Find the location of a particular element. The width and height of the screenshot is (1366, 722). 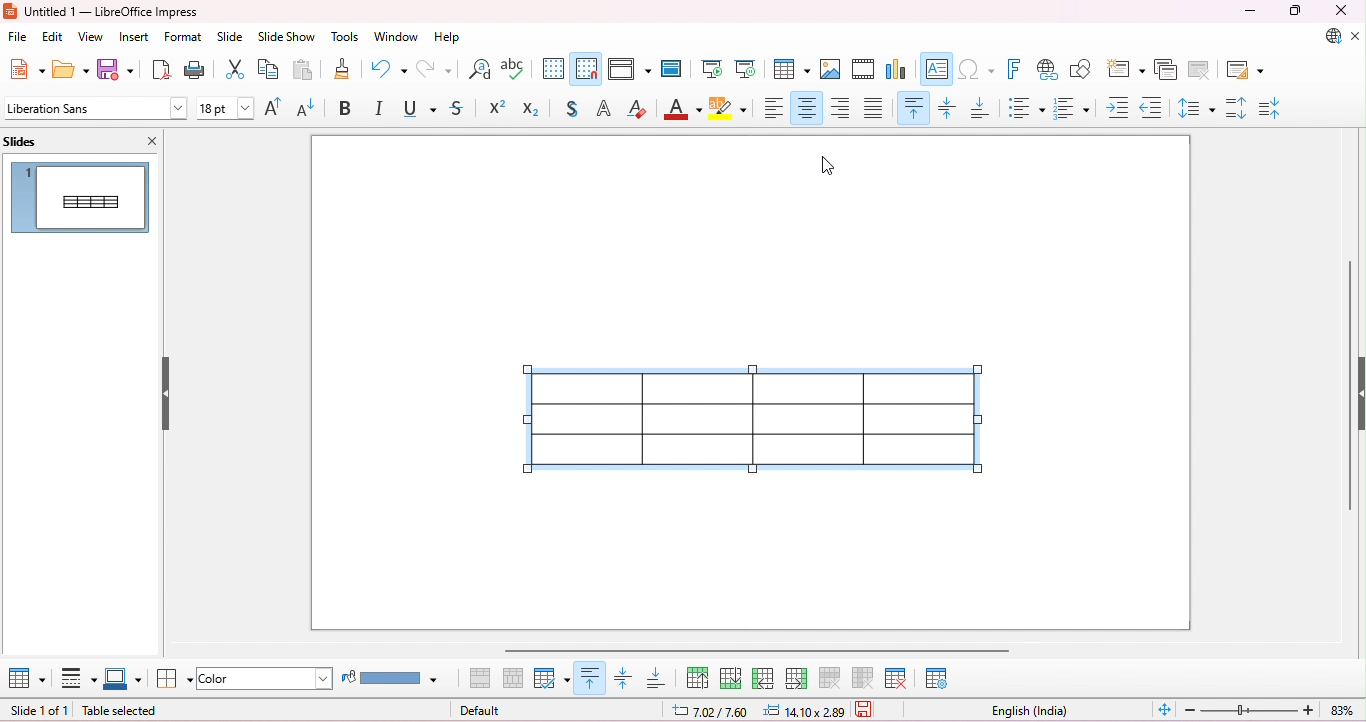

open is located at coordinates (71, 69).